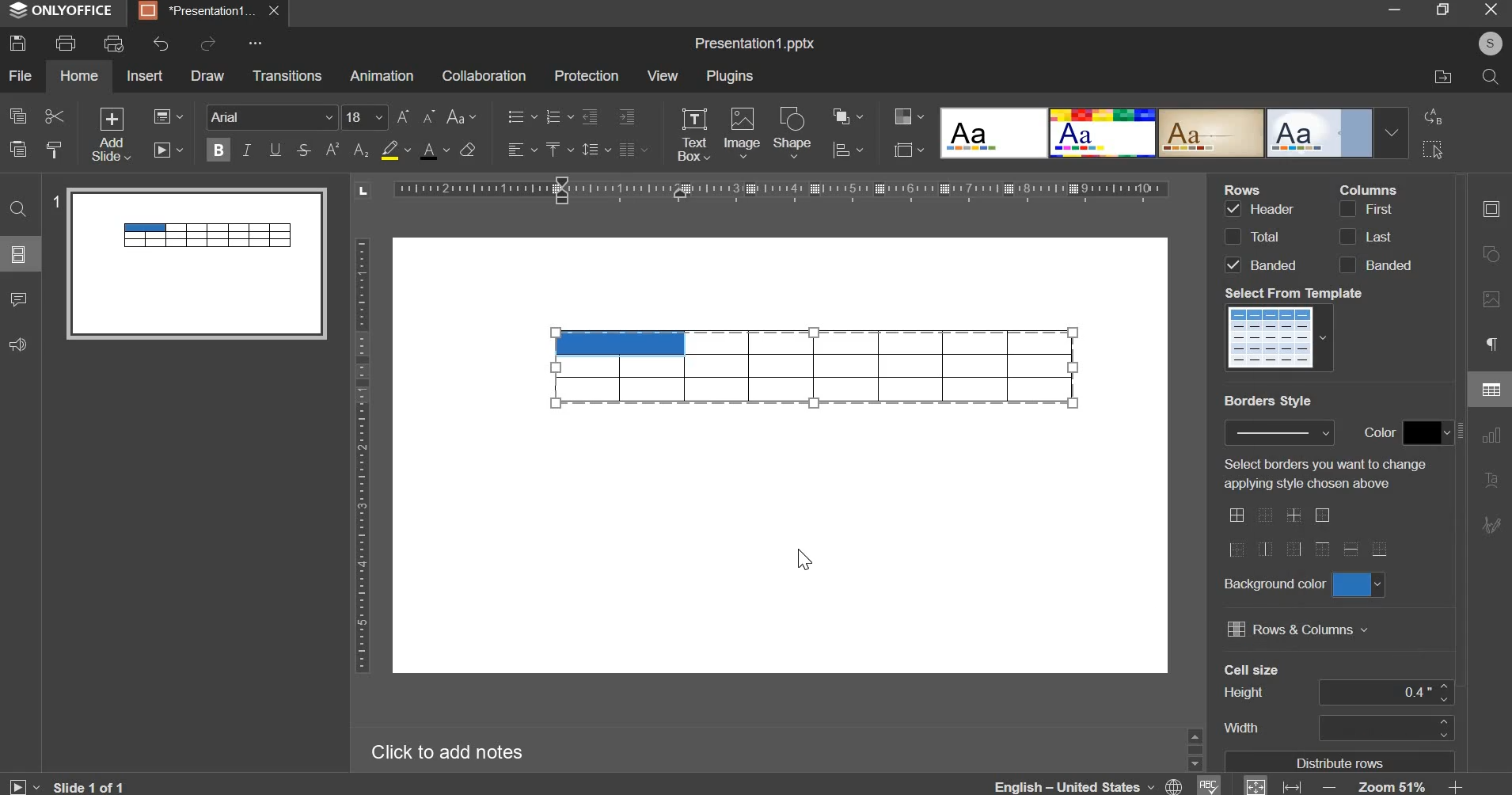 The height and width of the screenshot is (795, 1512). I want to click on Presentation tab, so click(207, 11).